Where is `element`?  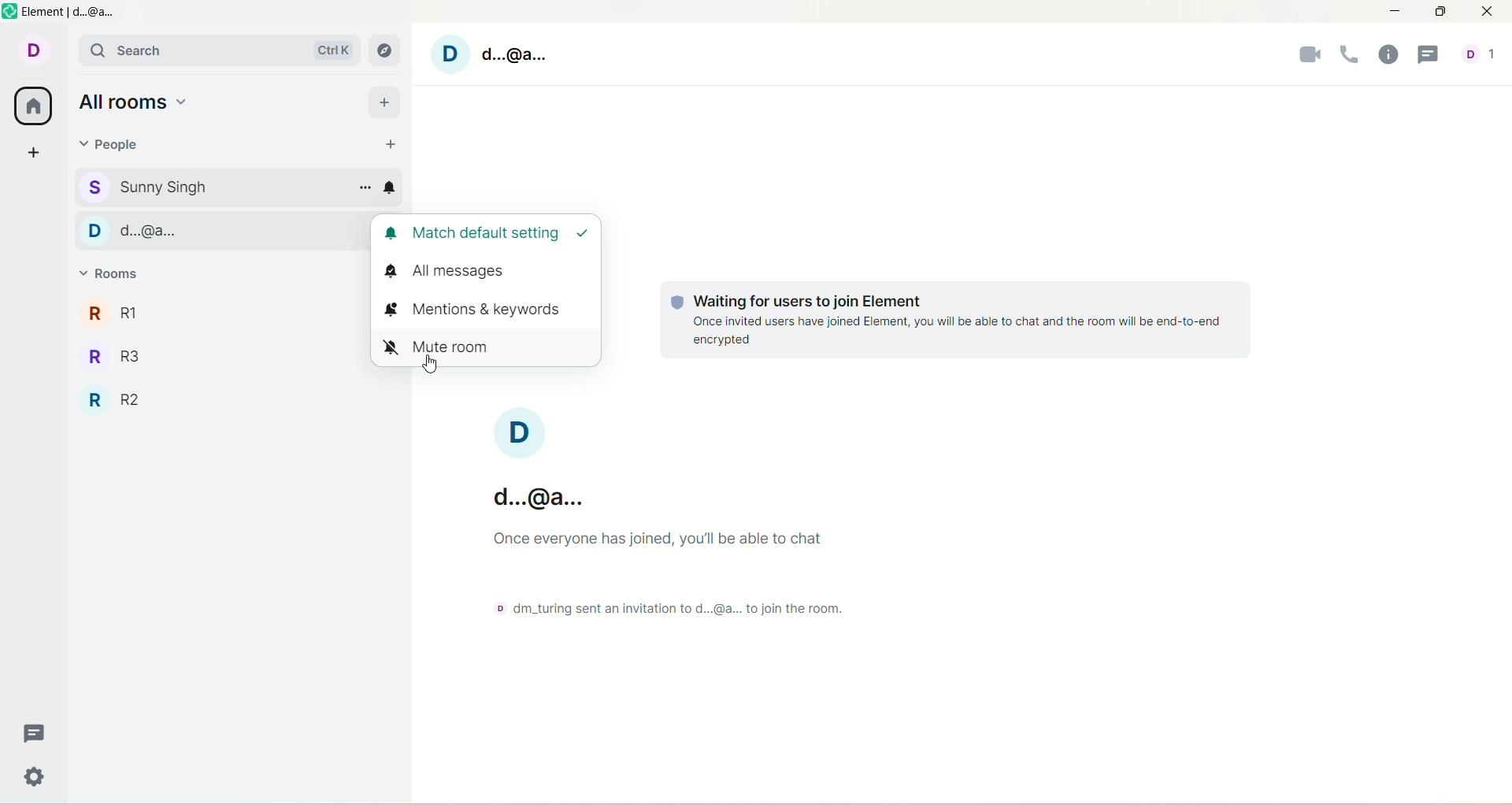
element is located at coordinates (72, 13).